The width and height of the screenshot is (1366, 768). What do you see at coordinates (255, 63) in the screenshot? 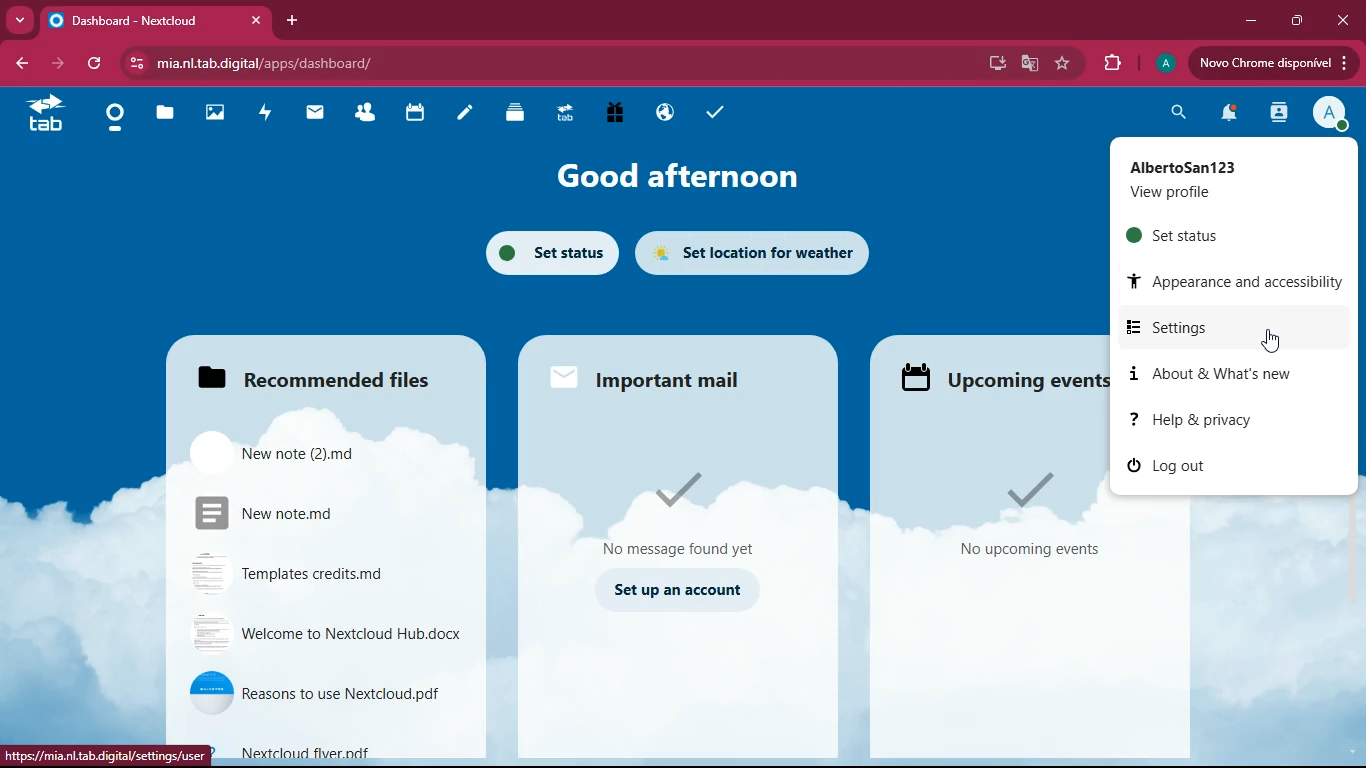
I see `url` at bounding box center [255, 63].